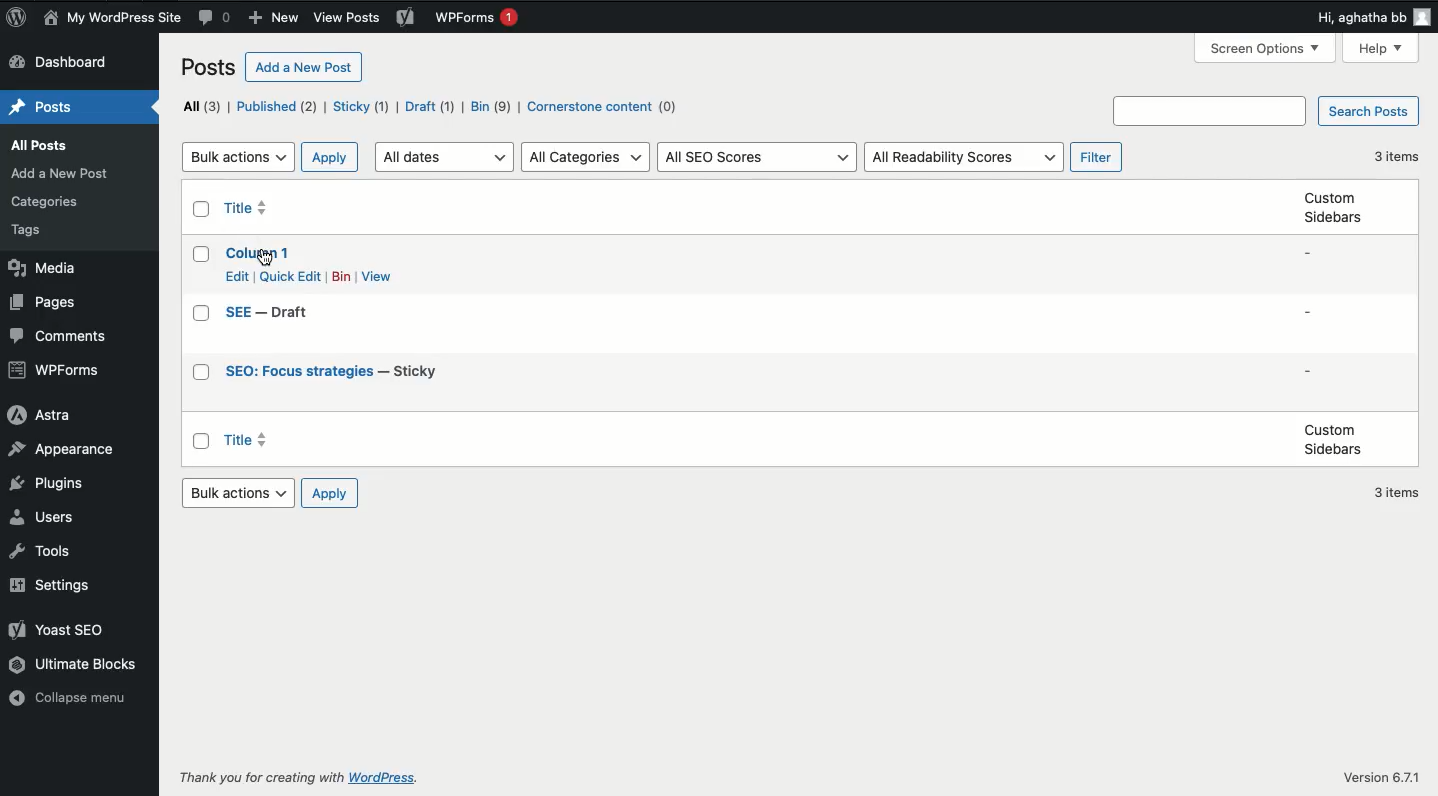 The height and width of the screenshot is (796, 1438). I want to click on Hi user, so click(1372, 15).